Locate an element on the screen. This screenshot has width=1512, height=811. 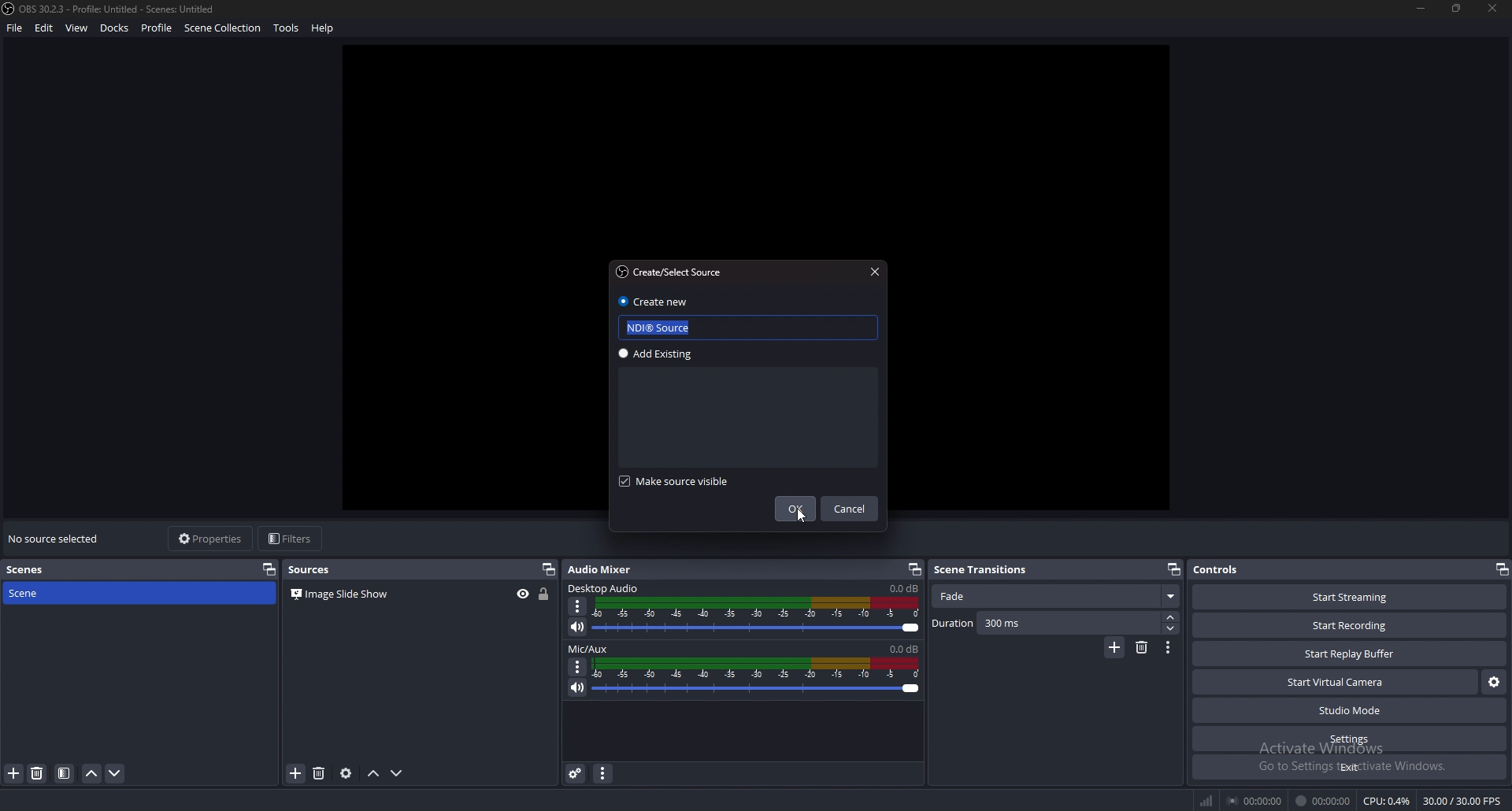
volume level is located at coordinates (902, 588).